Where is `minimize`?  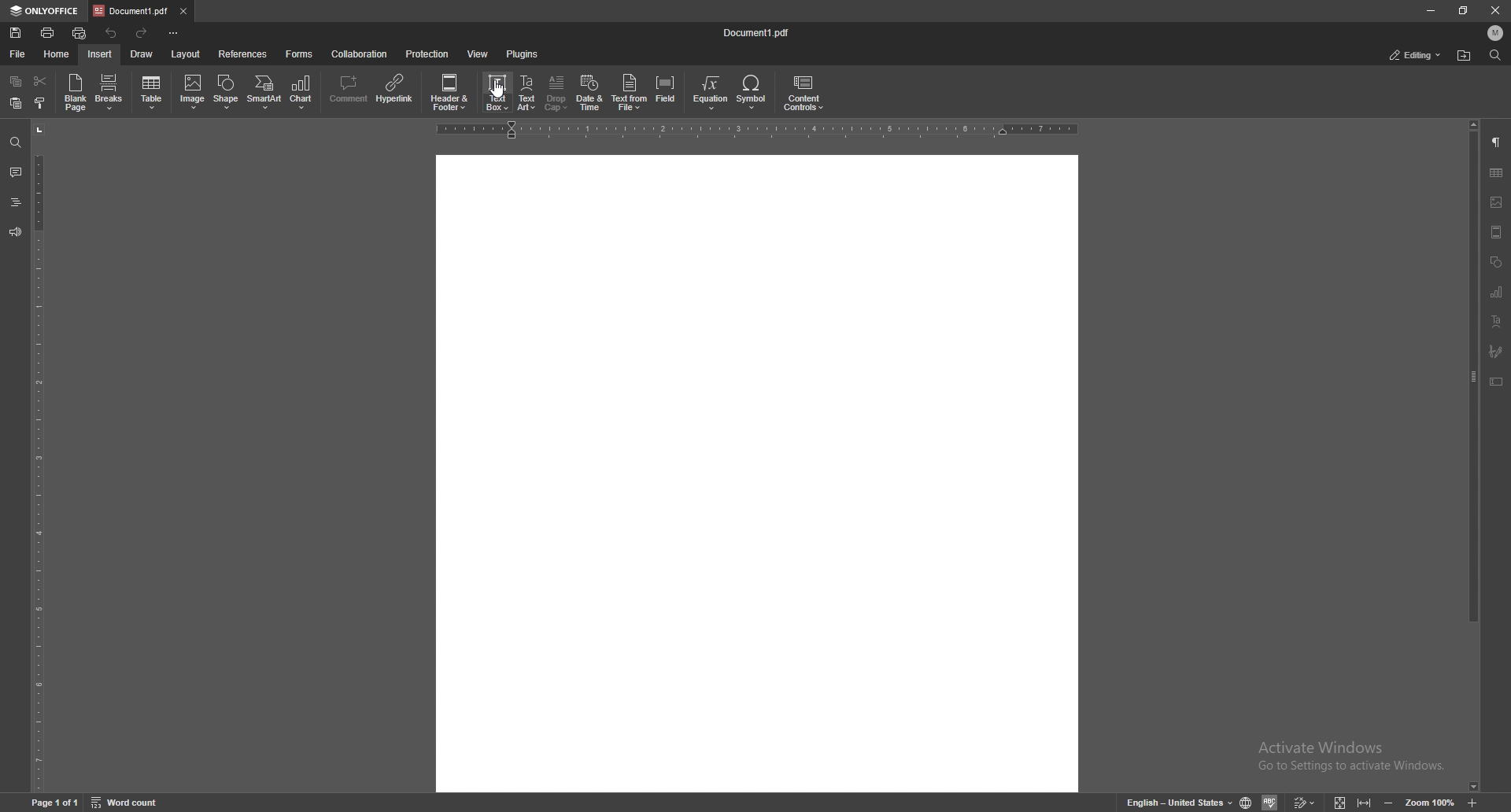
minimize is located at coordinates (1431, 10).